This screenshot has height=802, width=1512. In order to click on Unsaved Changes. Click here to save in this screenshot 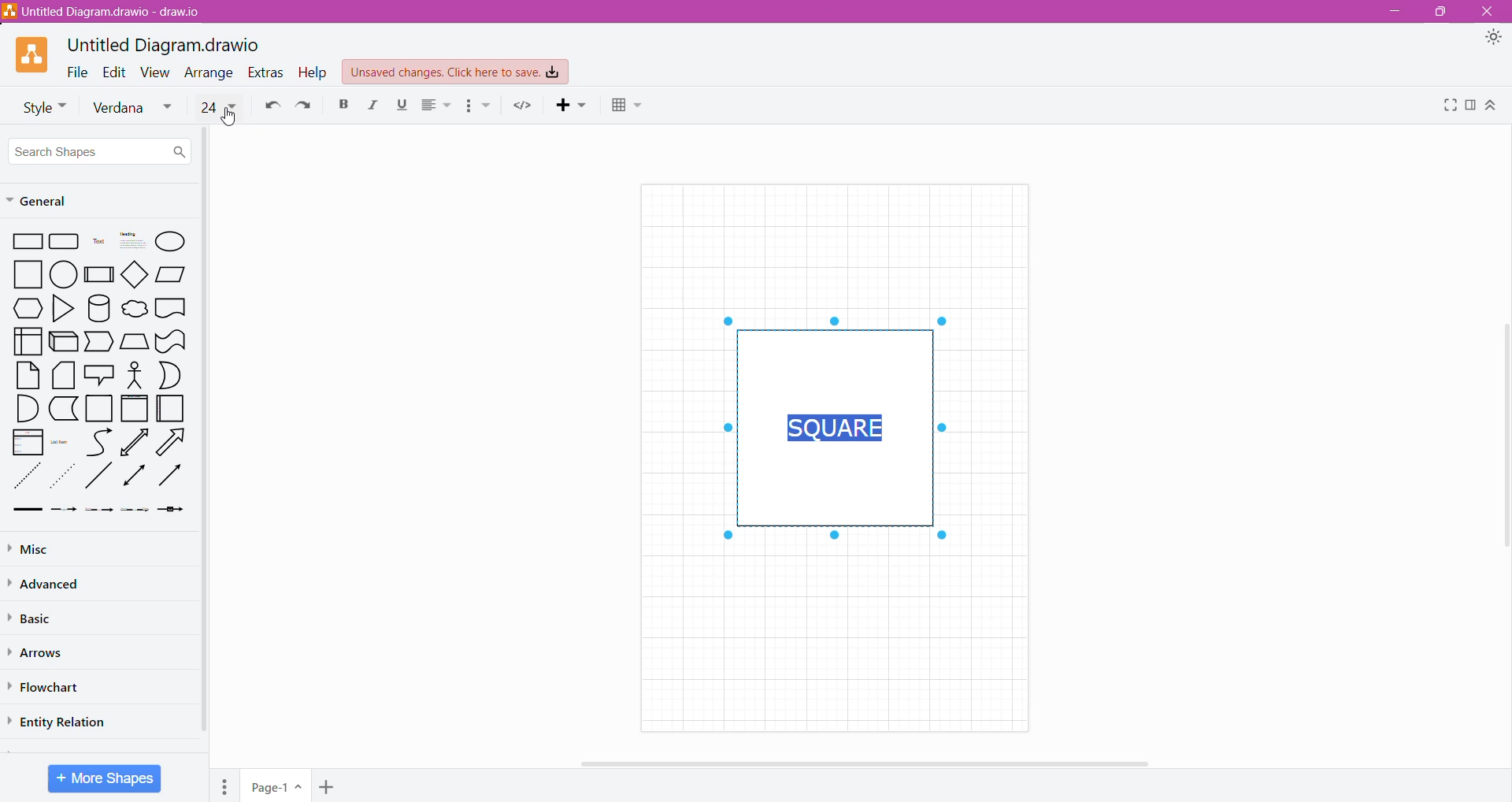, I will do `click(456, 72)`.